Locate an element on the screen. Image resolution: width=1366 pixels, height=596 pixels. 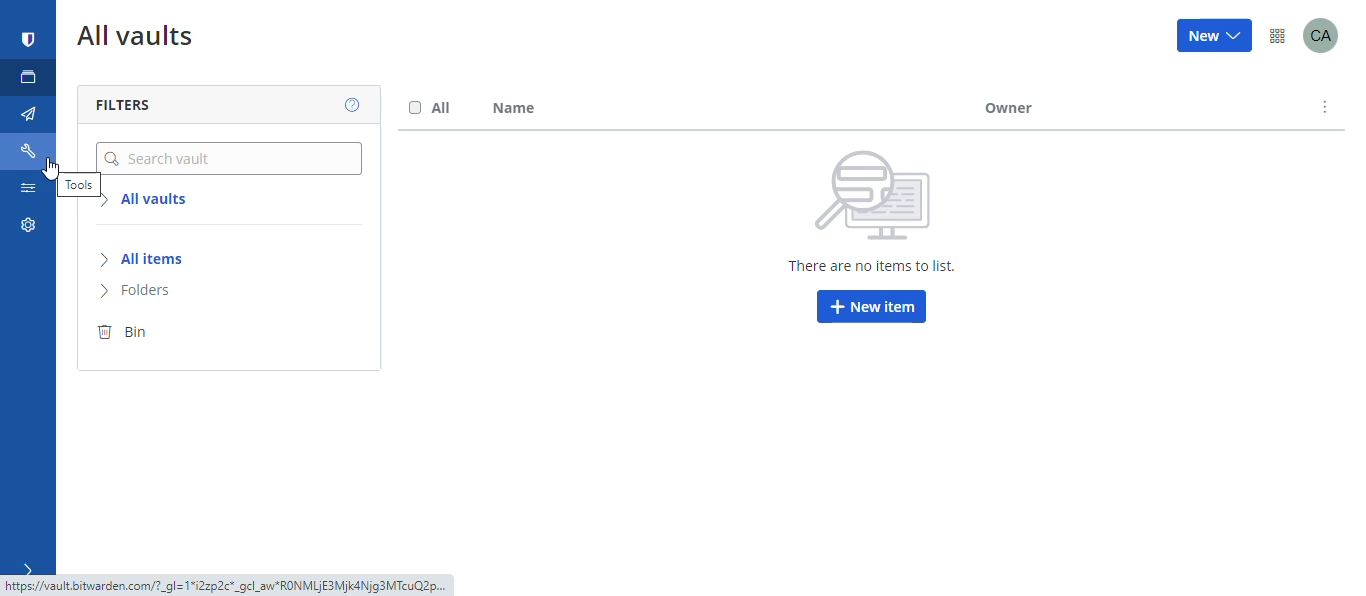
cursor is located at coordinates (53, 169).